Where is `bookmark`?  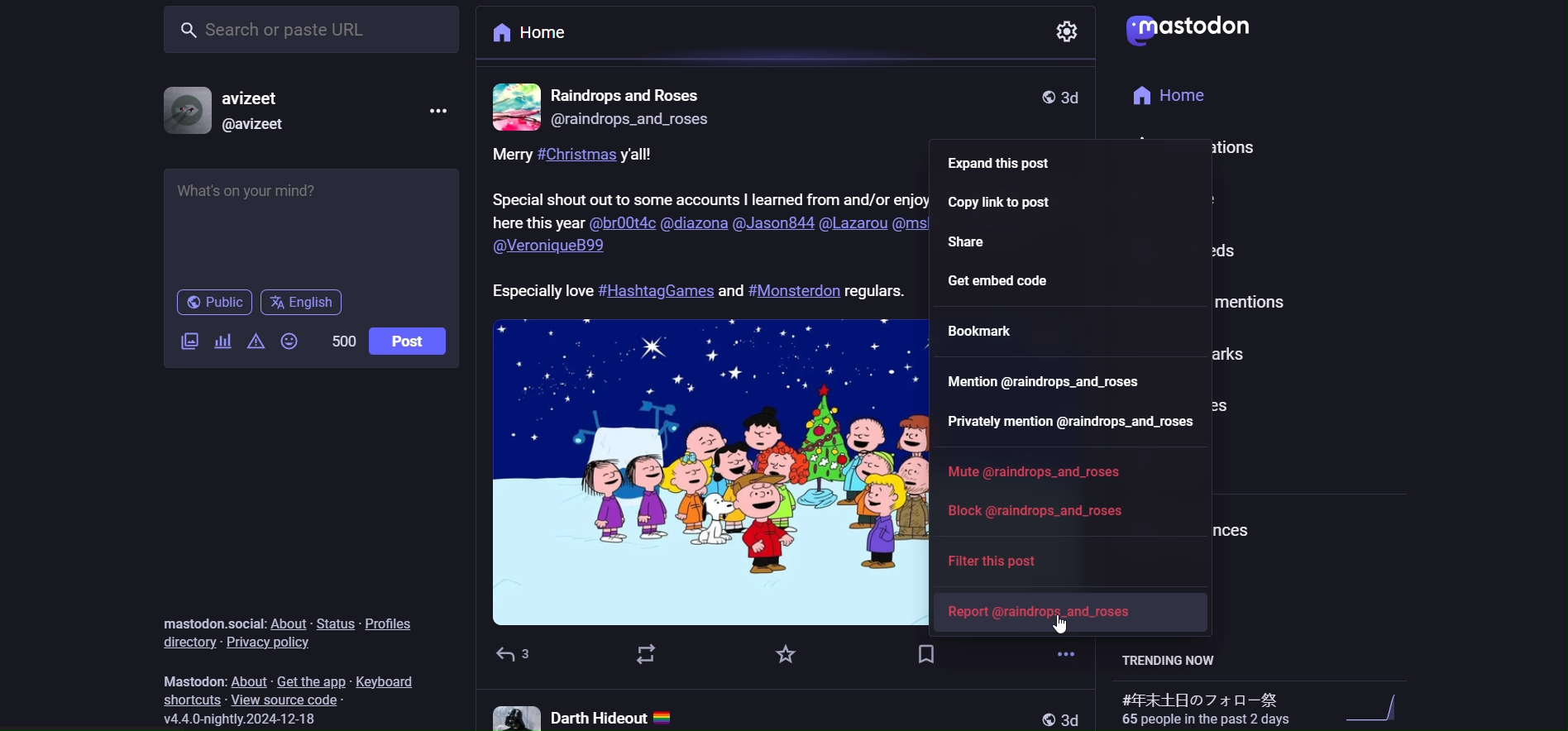
bookmark is located at coordinates (927, 657).